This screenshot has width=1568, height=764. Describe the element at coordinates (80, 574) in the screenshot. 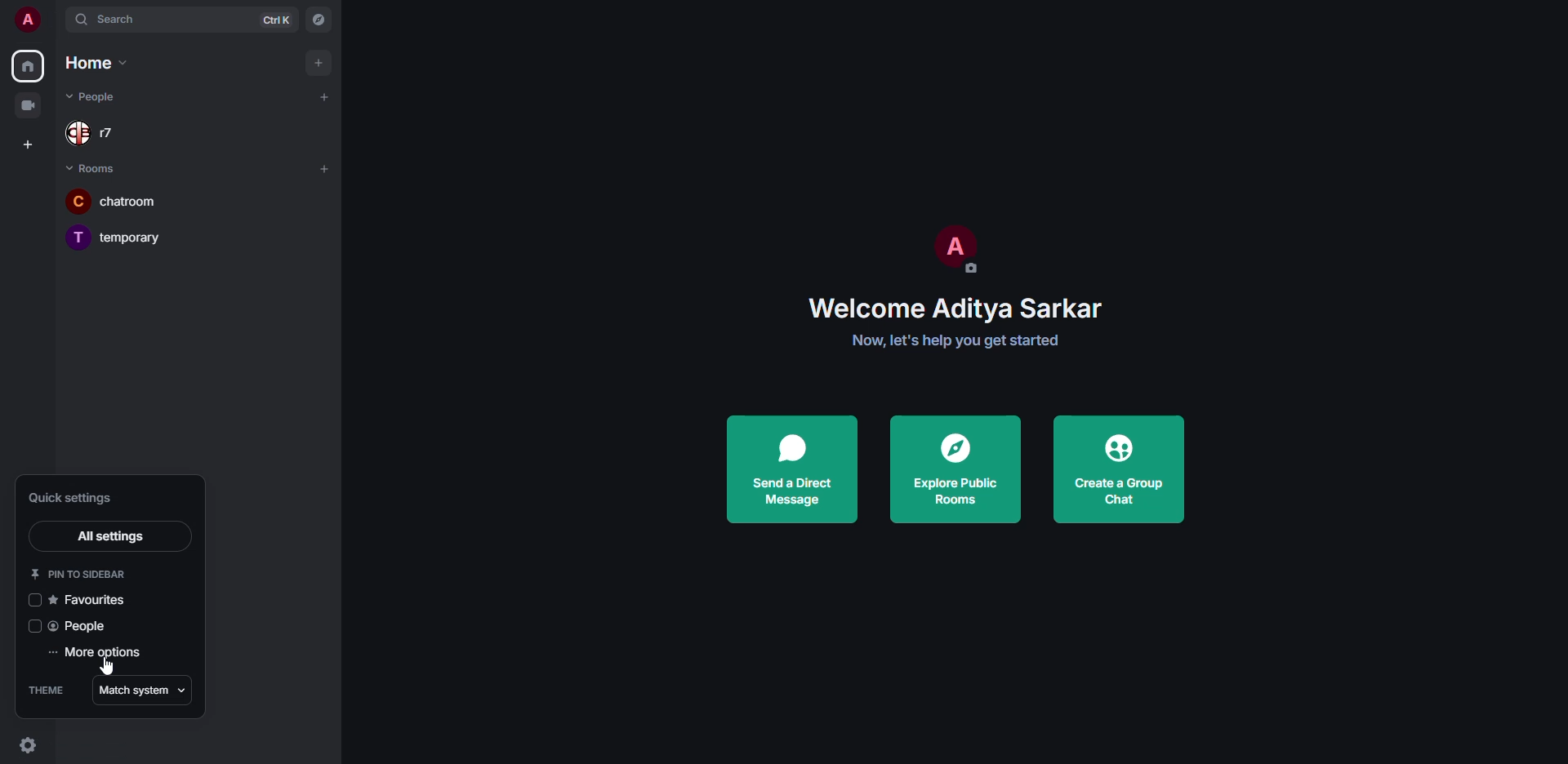

I see `pin to sidebar` at that location.